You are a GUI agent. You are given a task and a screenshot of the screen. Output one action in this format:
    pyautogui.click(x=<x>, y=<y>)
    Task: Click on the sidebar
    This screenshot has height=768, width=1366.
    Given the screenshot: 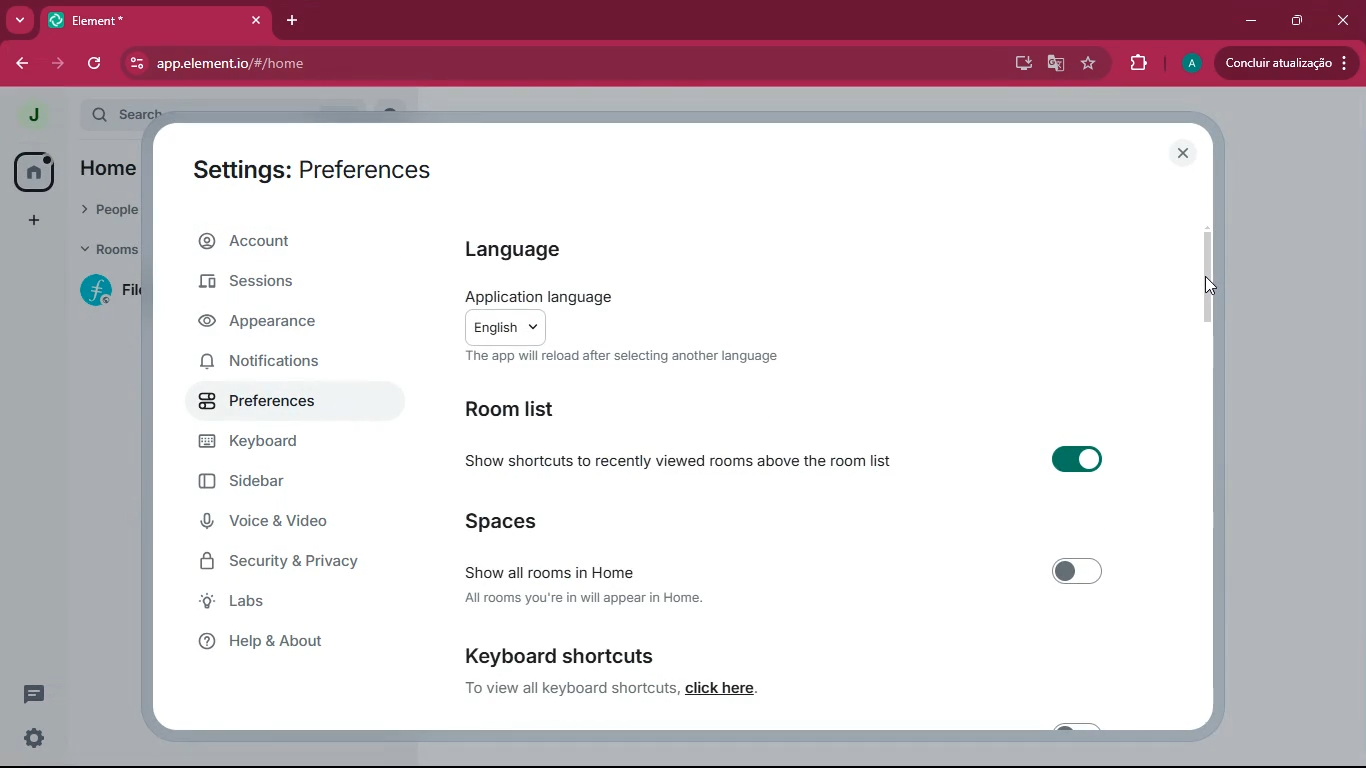 What is the action you would take?
    pyautogui.click(x=271, y=484)
    